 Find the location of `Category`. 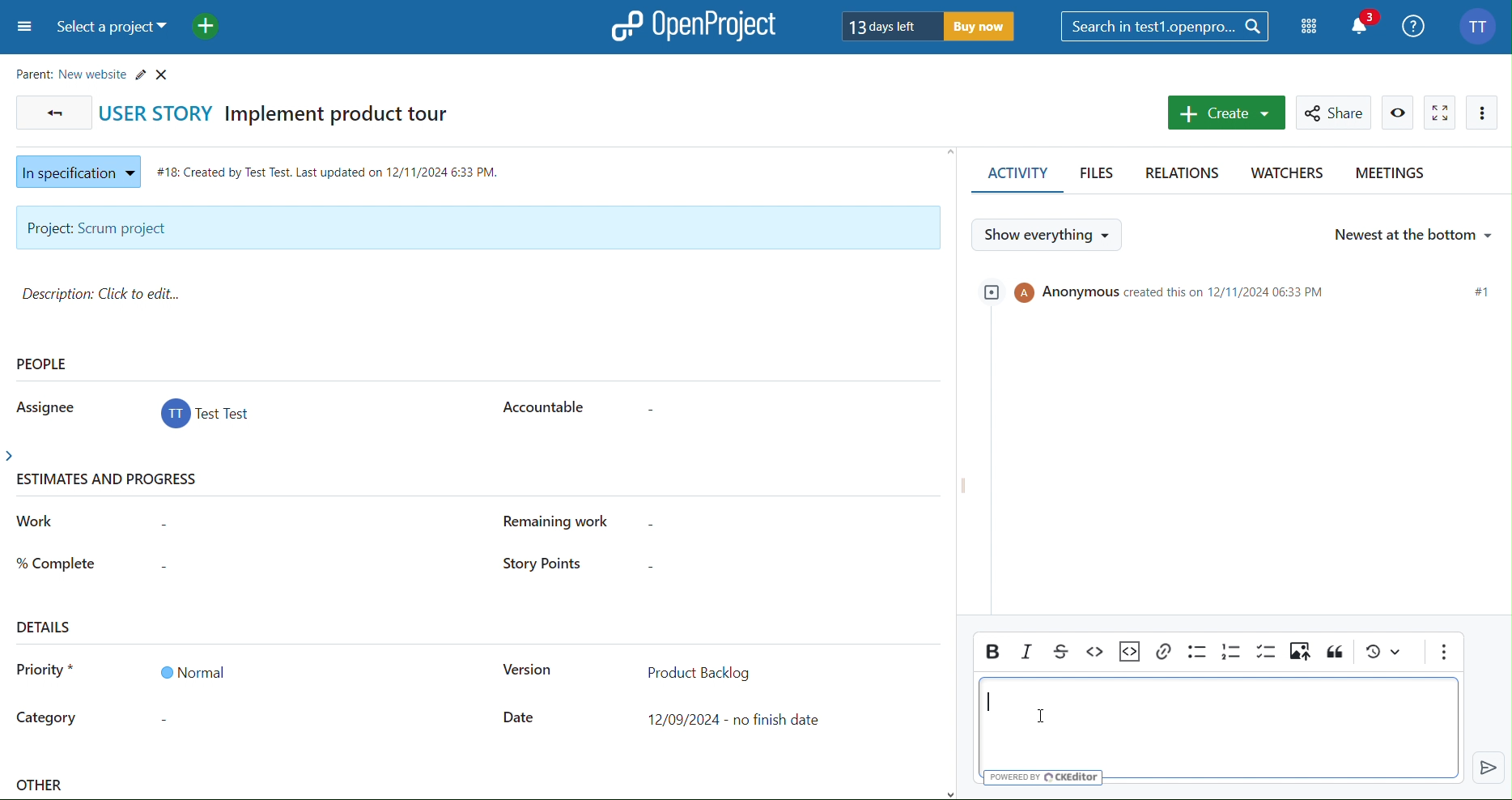

Category is located at coordinates (47, 720).